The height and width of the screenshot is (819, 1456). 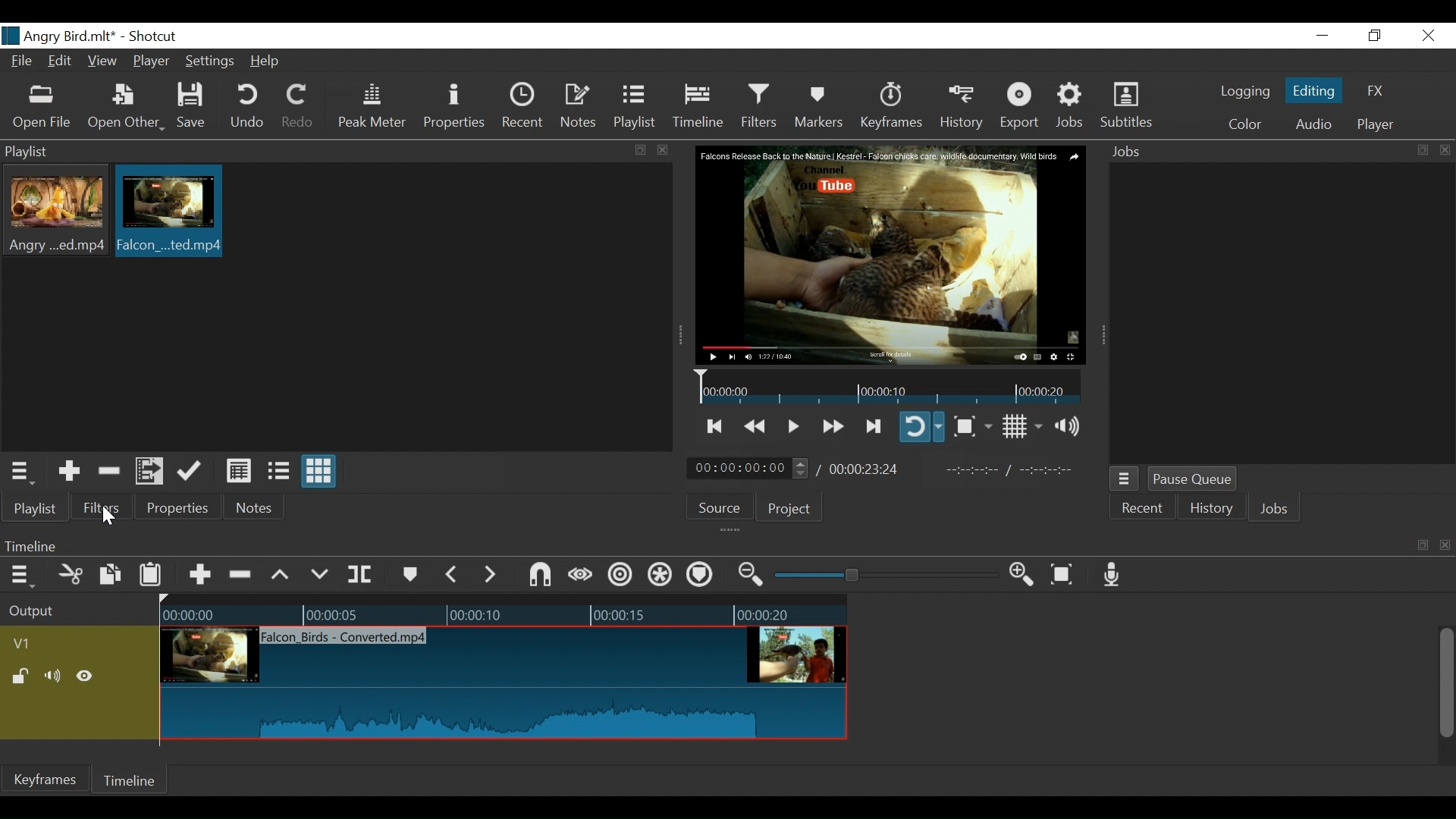 What do you see at coordinates (818, 106) in the screenshot?
I see `Markers` at bounding box center [818, 106].